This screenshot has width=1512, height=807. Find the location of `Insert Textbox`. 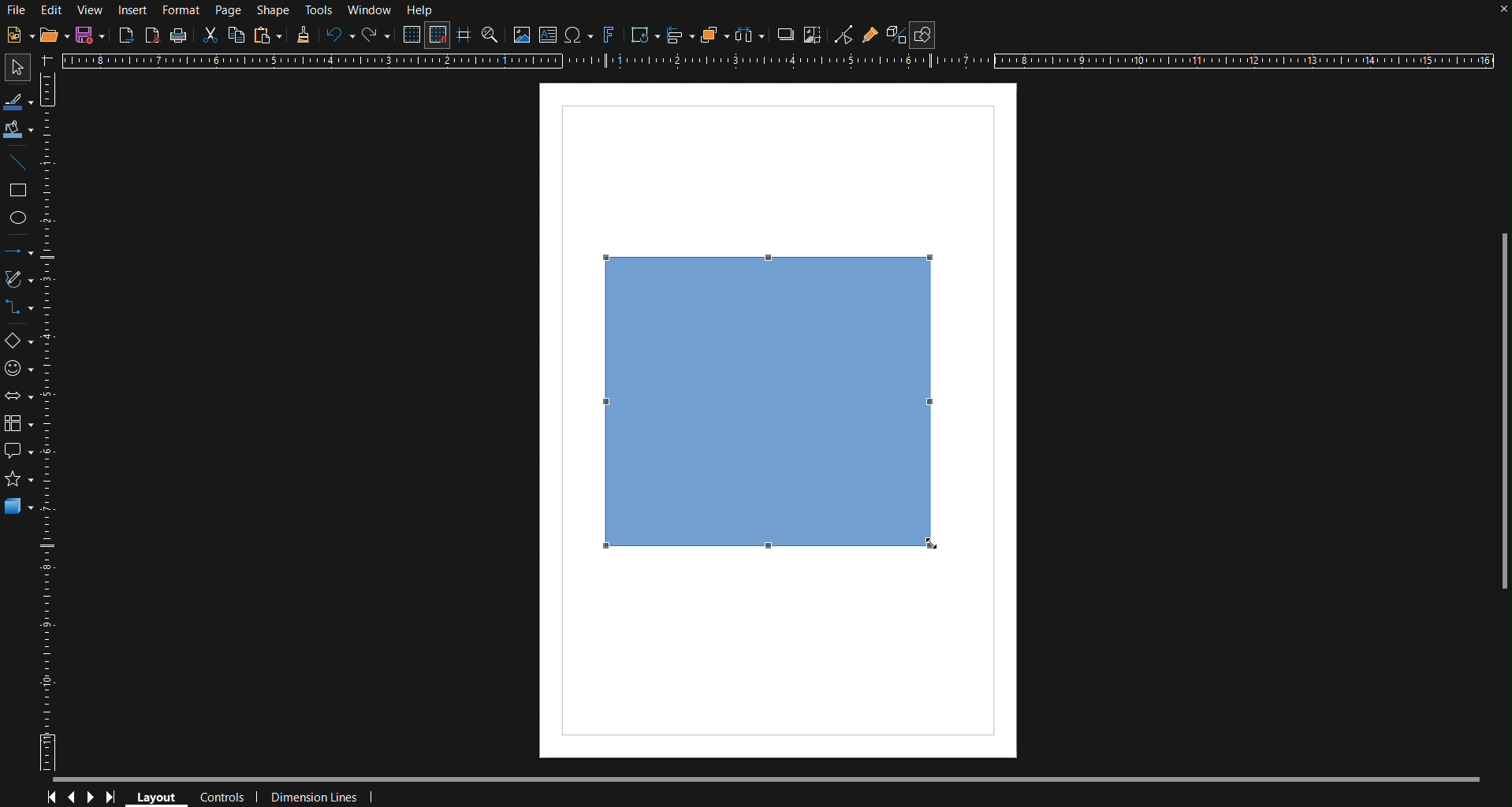

Insert Textbox is located at coordinates (549, 35).